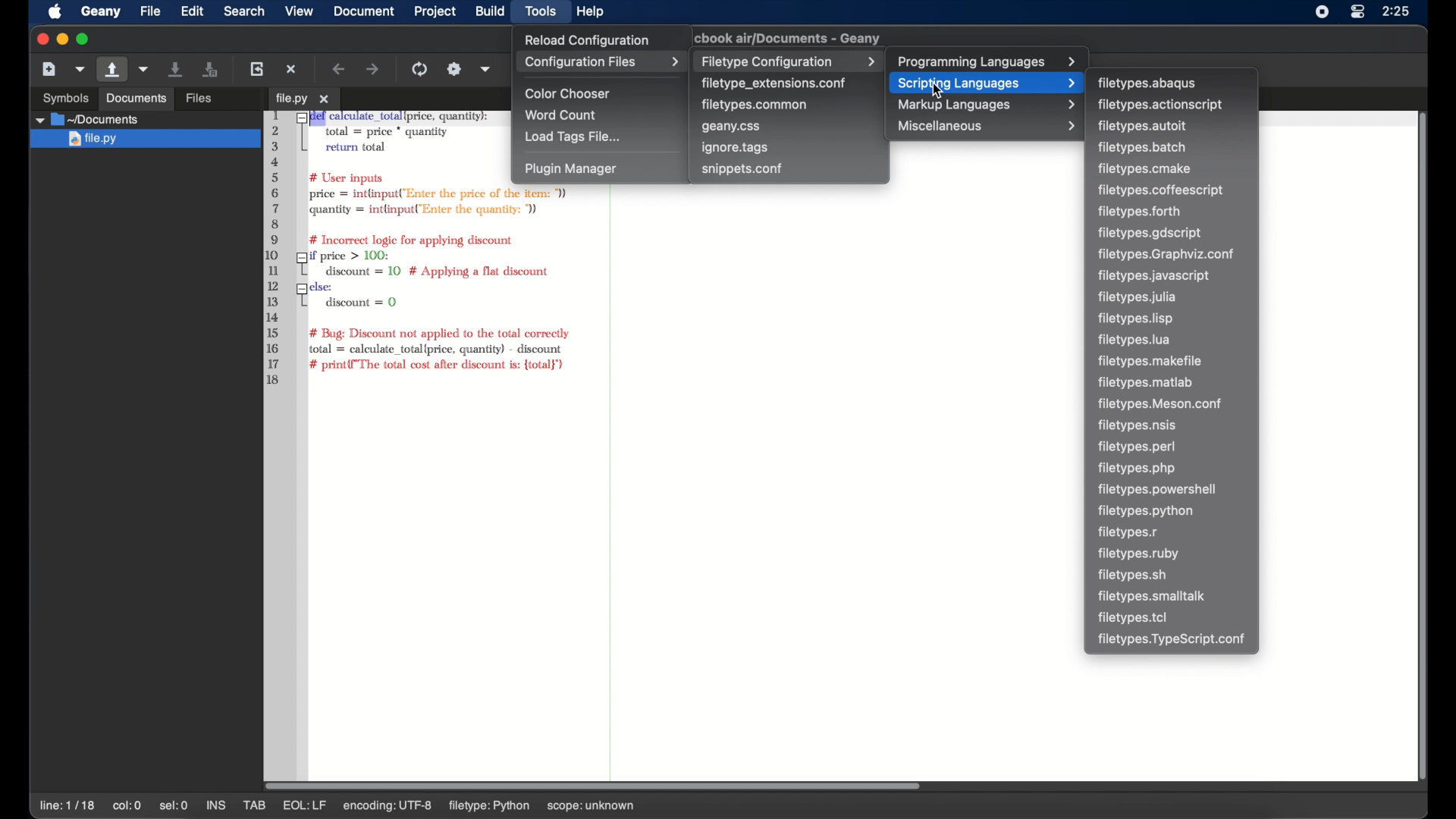 This screenshot has width=1456, height=819. I want to click on programming languages, so click(988, 62).